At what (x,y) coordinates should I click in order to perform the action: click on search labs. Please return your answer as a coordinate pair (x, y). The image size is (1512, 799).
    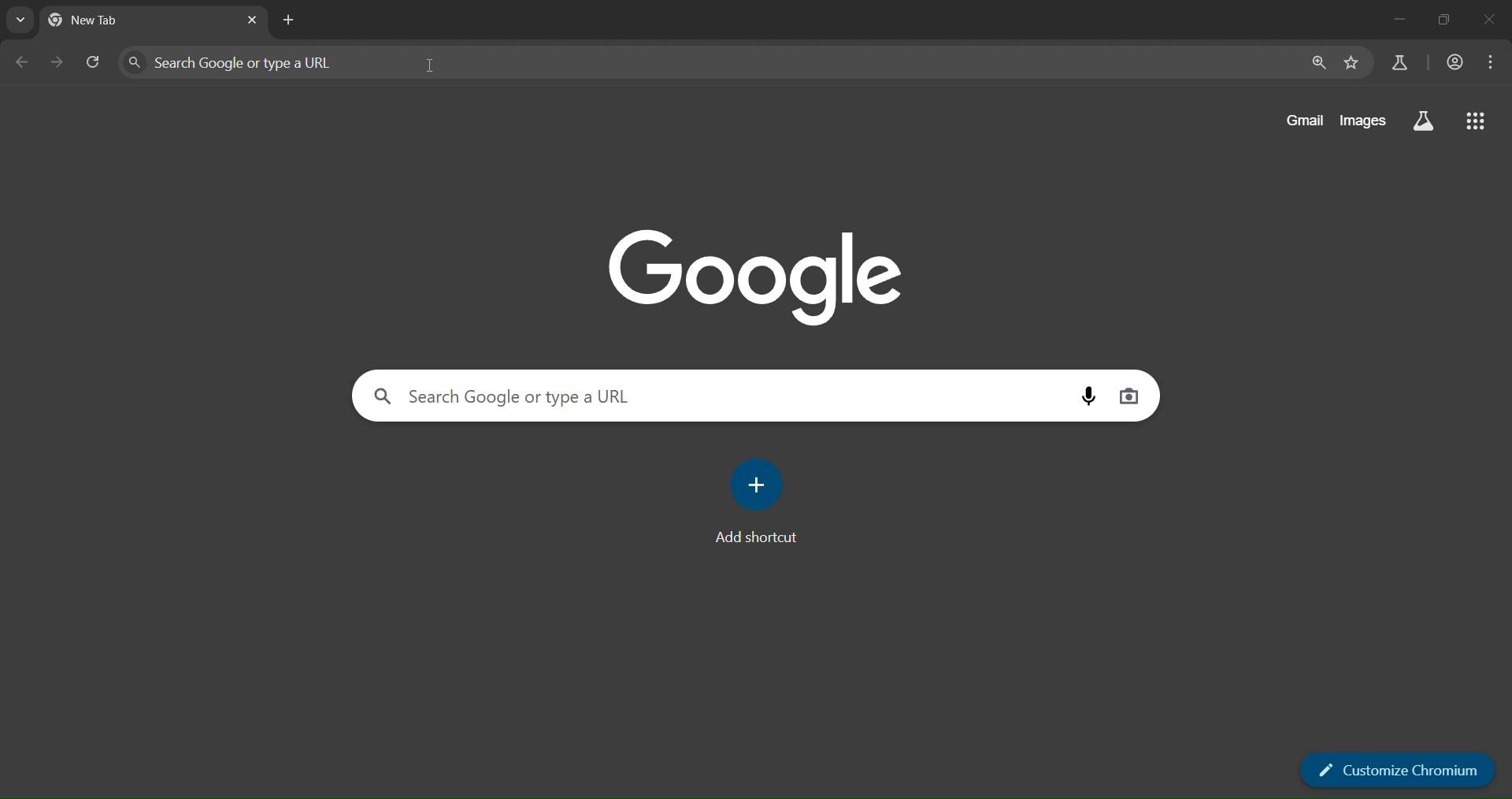
    Looking at the image, I should click on (1423, 121).